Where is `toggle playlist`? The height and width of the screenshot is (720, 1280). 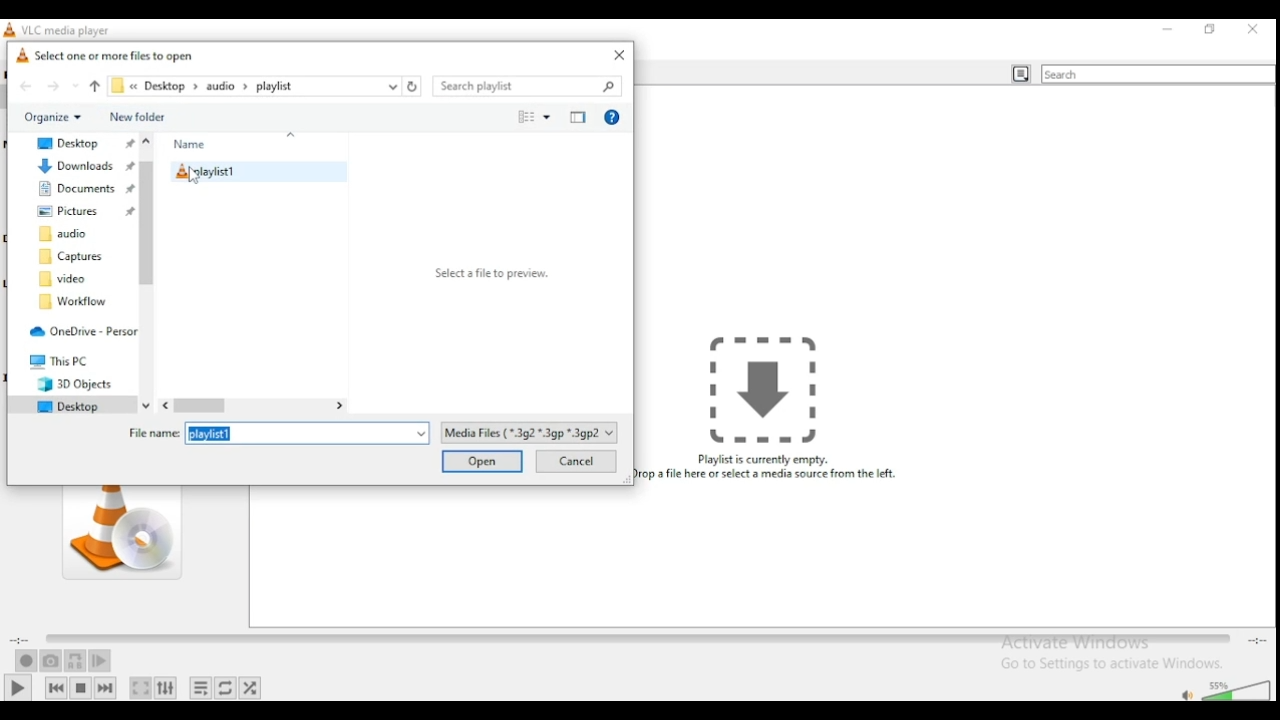 toggle playlist is located at coordinates (201, 688).